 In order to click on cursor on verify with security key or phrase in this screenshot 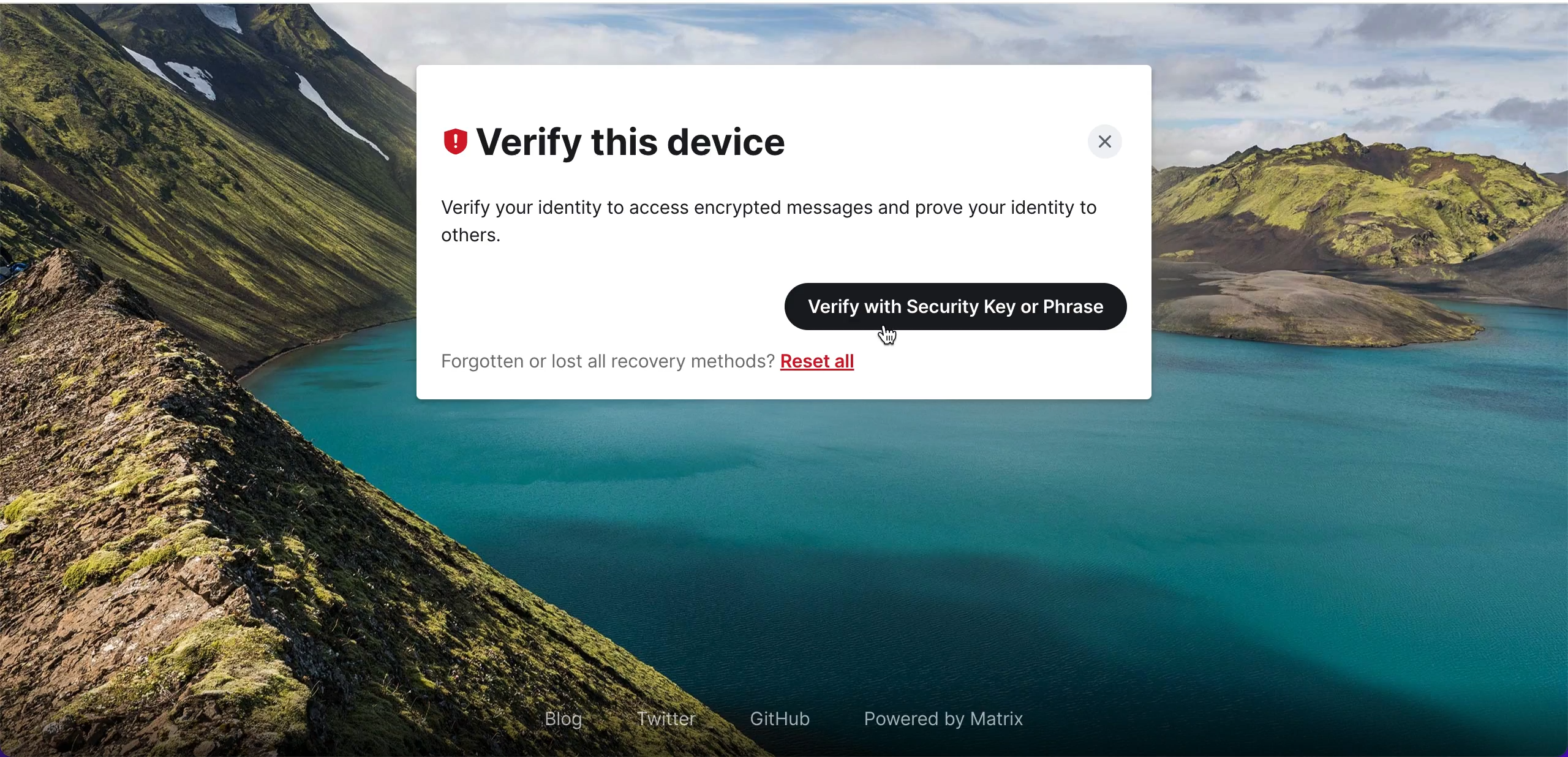, I will do `click(895, 340)`.